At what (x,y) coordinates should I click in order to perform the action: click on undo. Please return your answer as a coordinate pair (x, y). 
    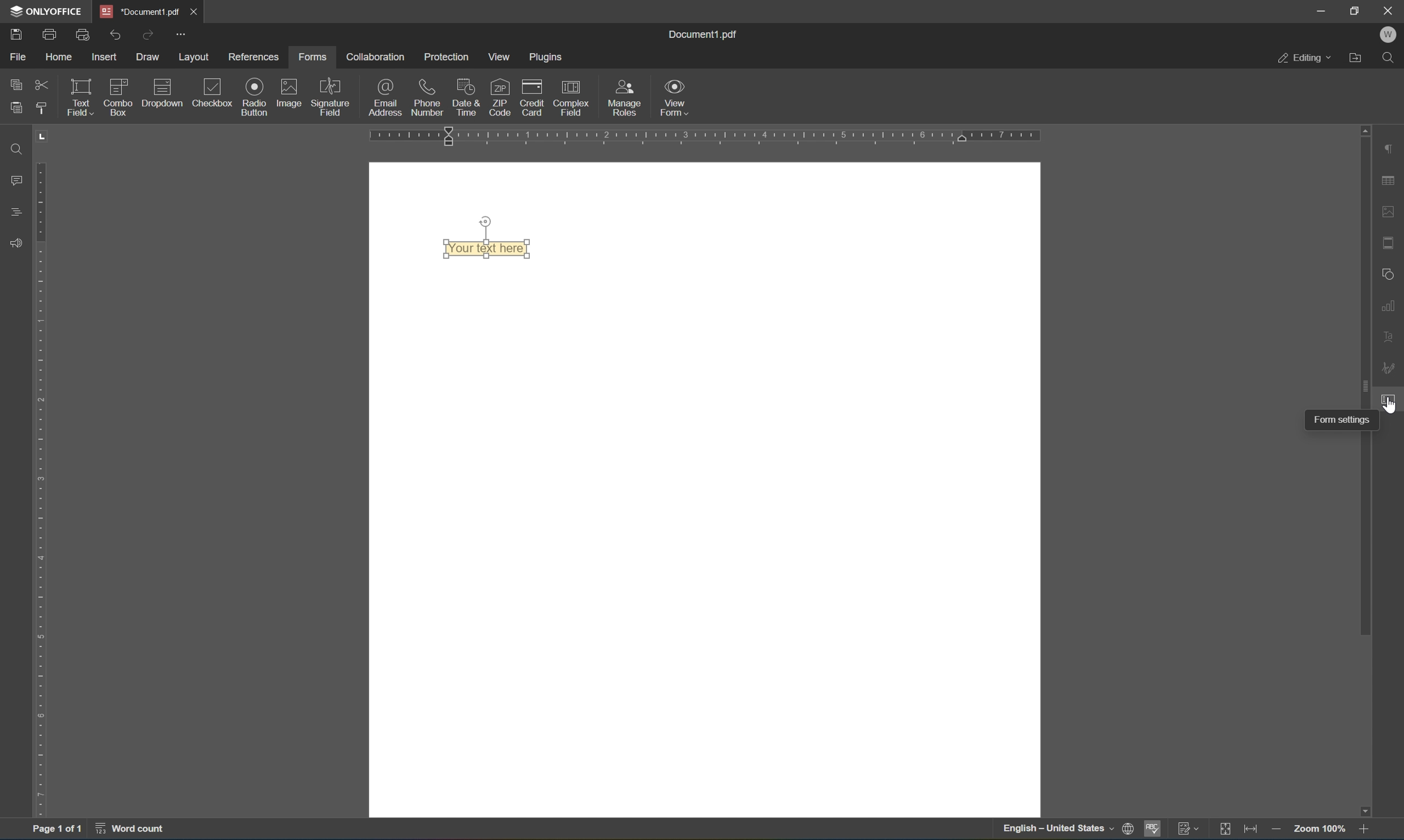
    Looking at the image, I should click on (116, 36).